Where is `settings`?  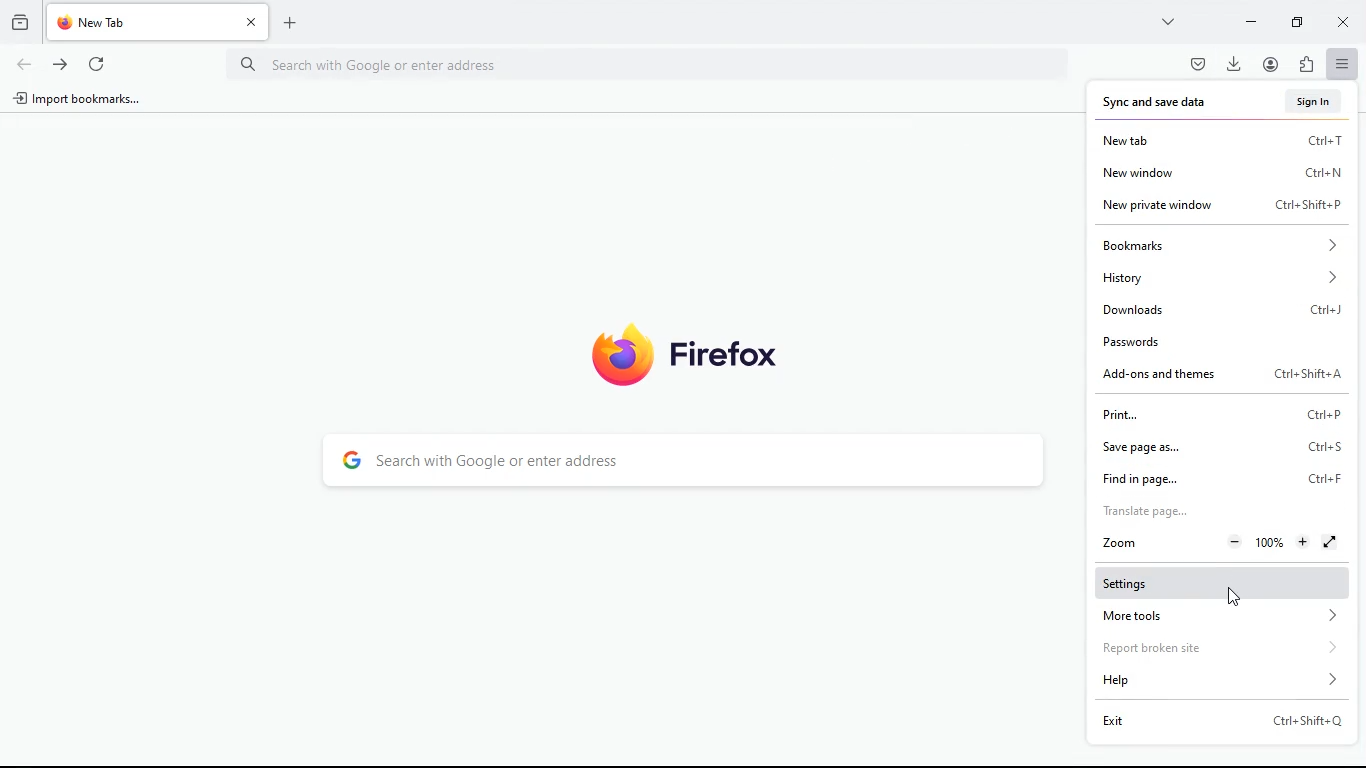
settings is located at coordinates (1216, 584).